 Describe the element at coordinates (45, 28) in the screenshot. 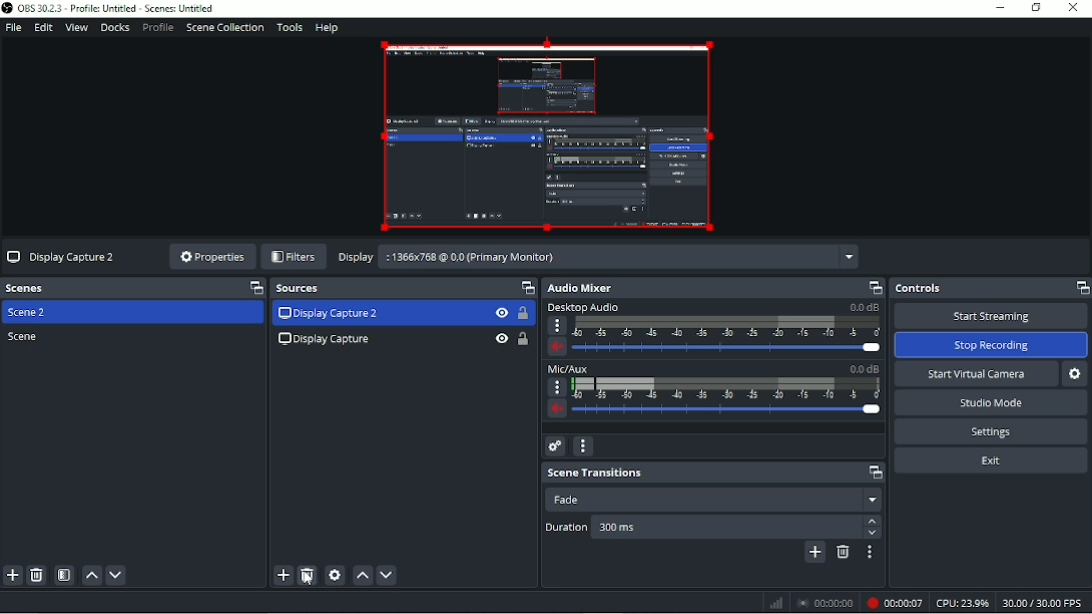

I see `Edit` at that location.